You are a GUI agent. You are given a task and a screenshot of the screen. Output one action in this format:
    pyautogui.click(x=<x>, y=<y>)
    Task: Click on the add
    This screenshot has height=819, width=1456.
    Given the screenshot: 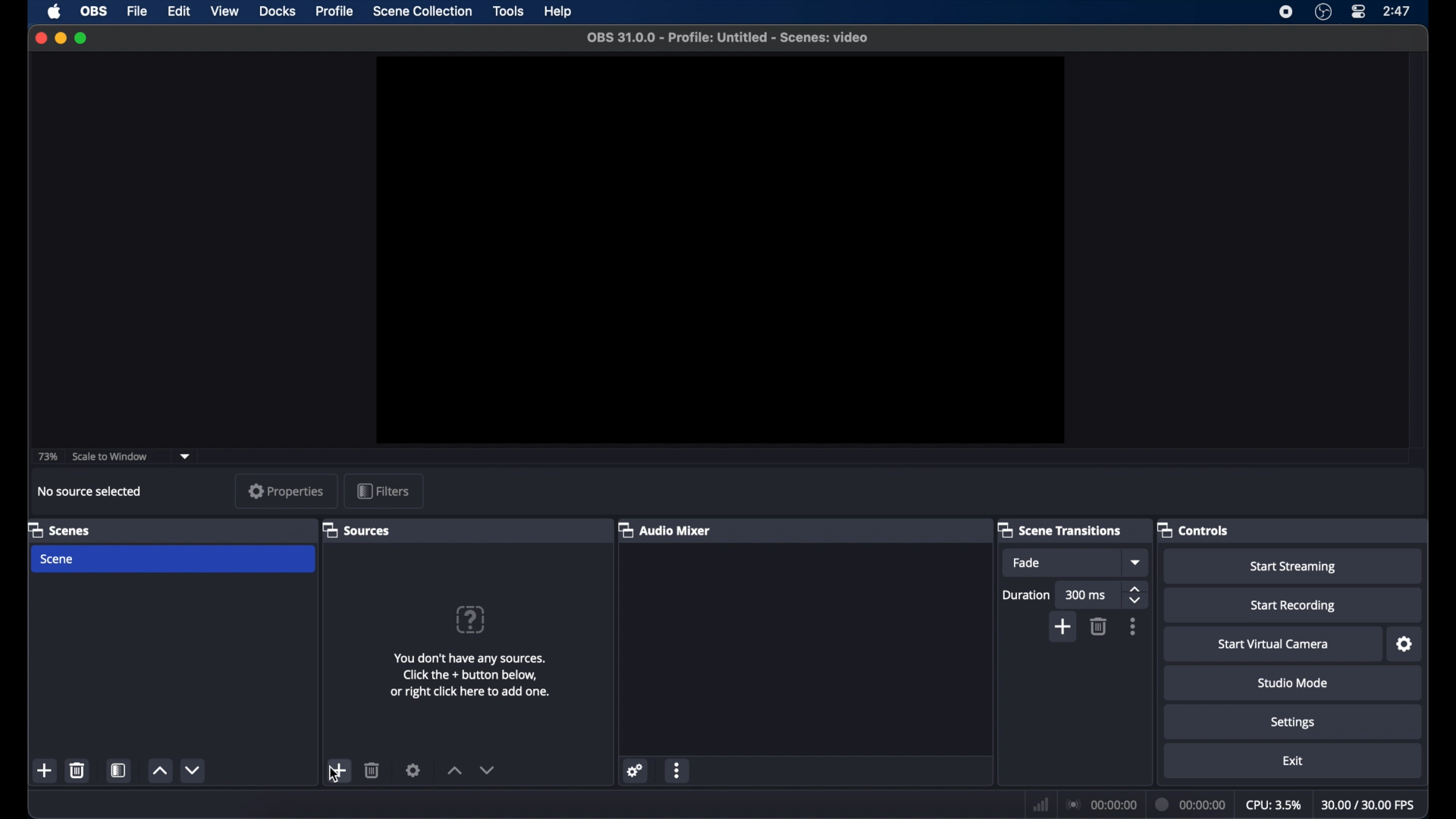 What is the action you would take?
    pyautogui.click(x=45, y=770)
    